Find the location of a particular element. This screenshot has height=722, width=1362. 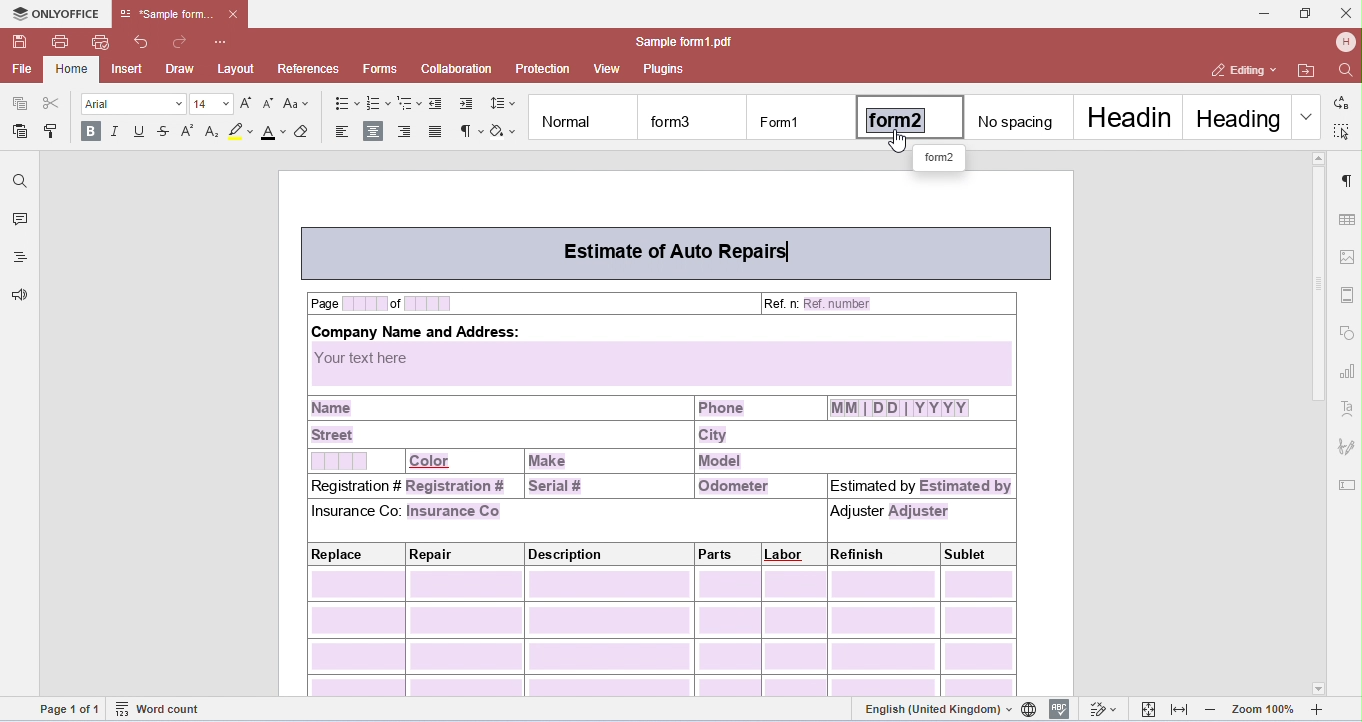

select all is located at coordinates (1343, 130).